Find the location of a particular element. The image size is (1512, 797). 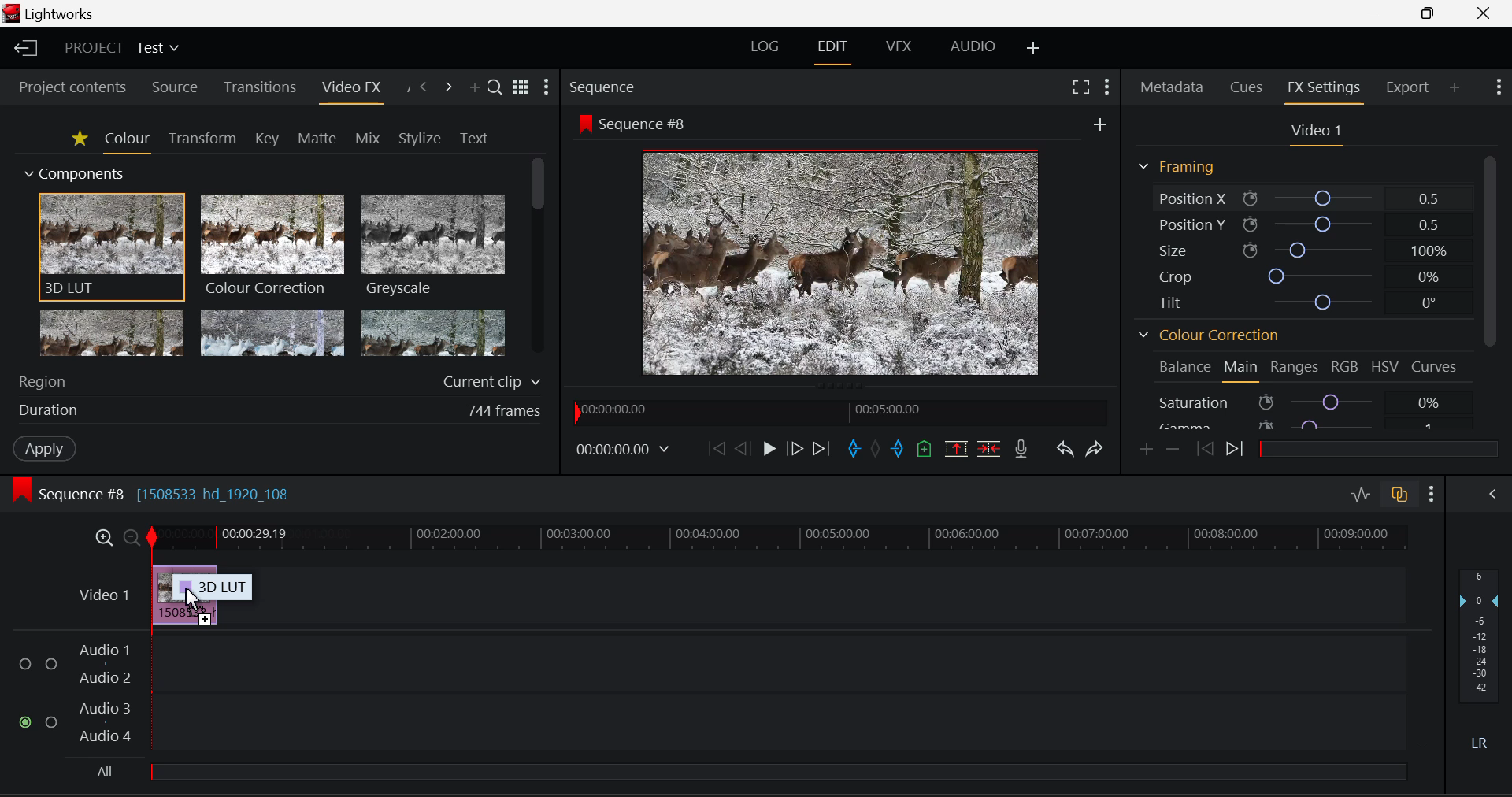

Cues is located at coordinates (1246, 87).